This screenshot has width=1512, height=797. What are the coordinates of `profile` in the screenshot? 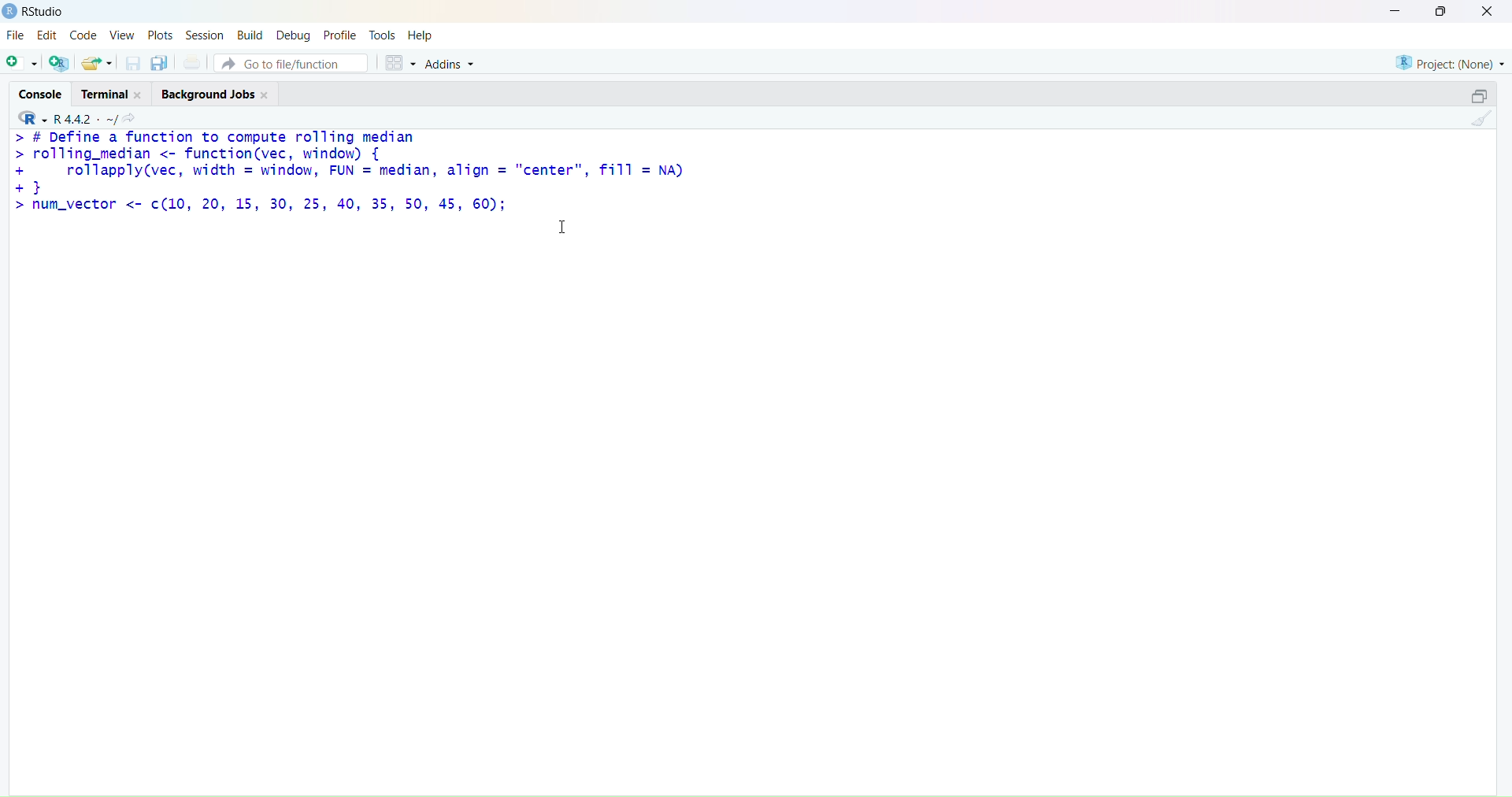 It's located at (339, 35).